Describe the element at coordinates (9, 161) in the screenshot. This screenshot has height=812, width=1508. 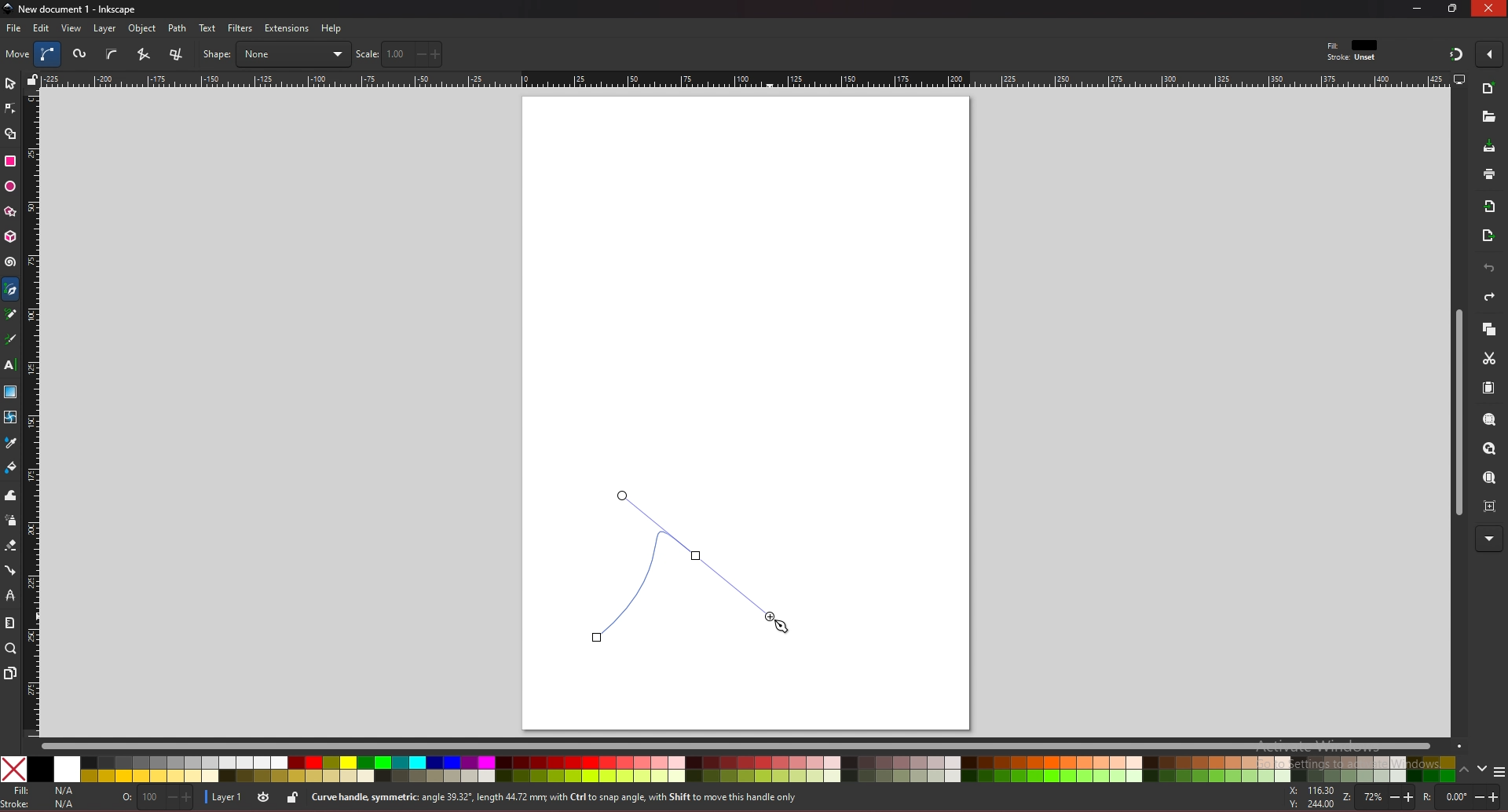
I see `rectangle` at that location.